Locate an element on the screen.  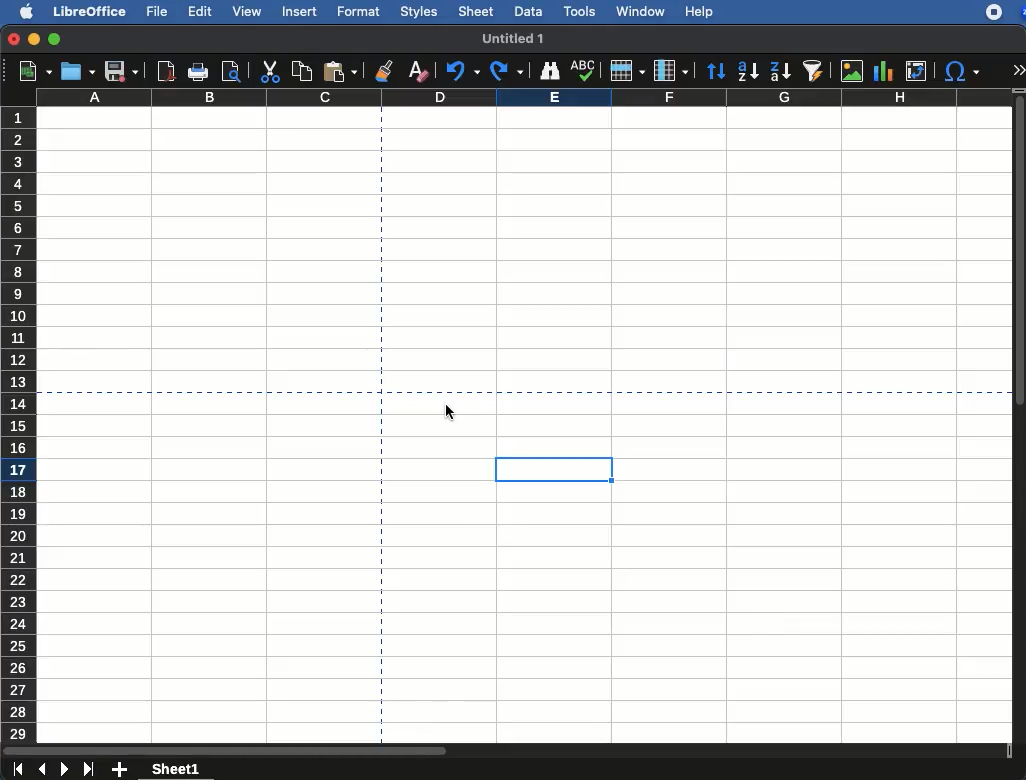
clone formatting is located at coordinates (385, 70).